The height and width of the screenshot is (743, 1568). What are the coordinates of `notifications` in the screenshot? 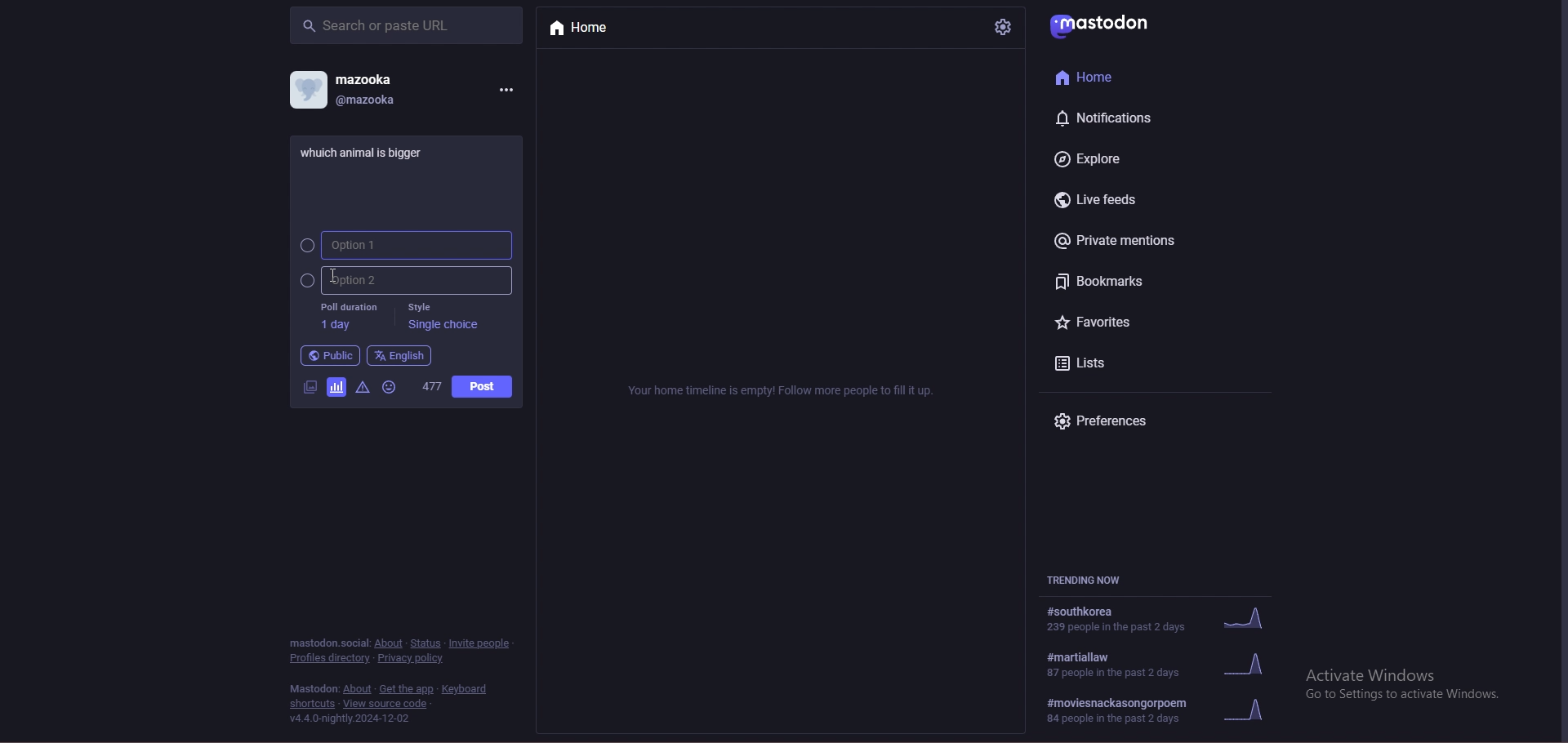 It's located at (1111, 118).